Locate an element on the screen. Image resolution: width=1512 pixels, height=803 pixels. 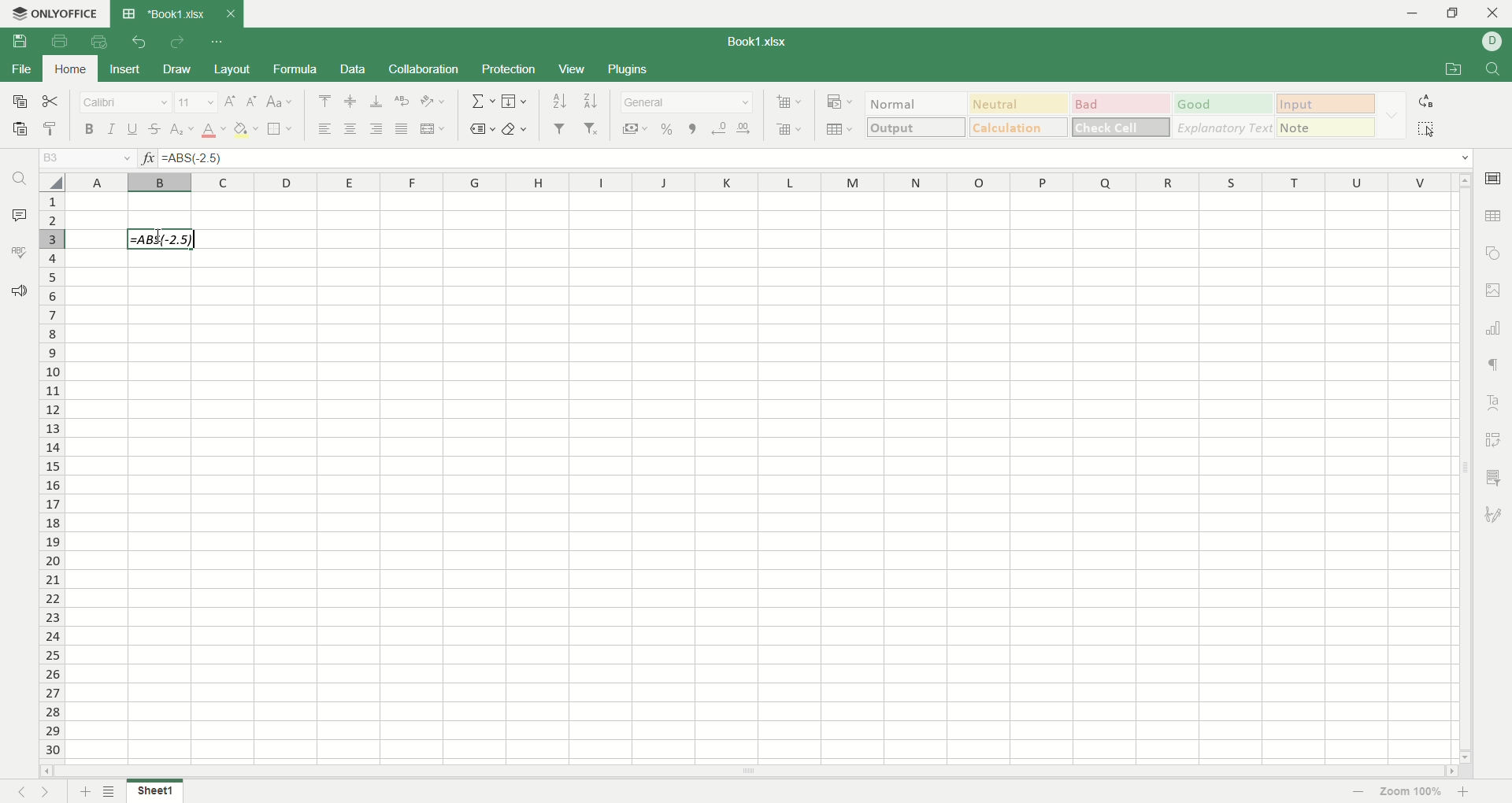
wrap text is located at coordinates (400, 101).